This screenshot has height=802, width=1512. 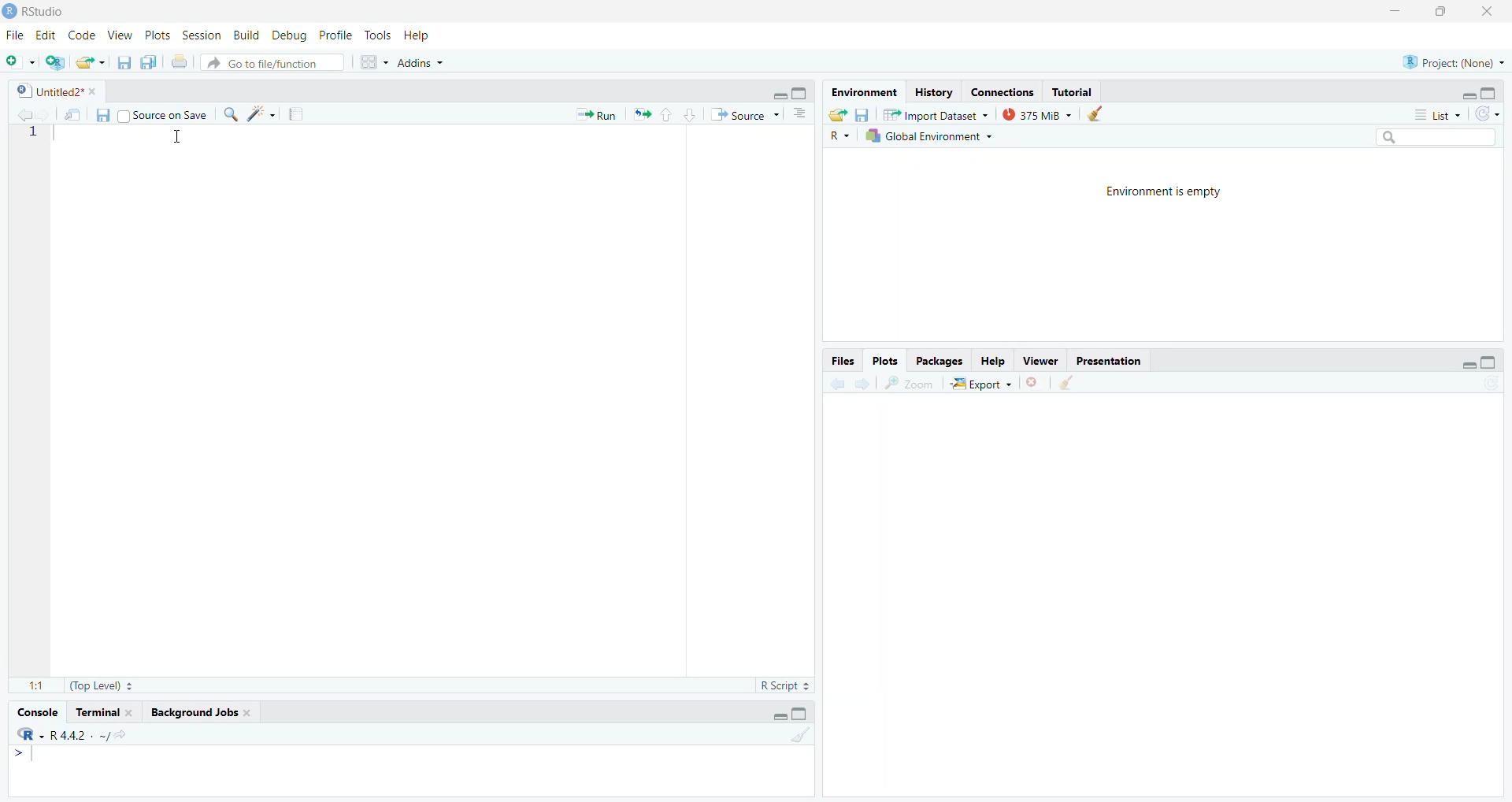 What do you see at coordinates (779, 94) in the screenshot?
I see `hide r script` at bounding box center [779, 94].